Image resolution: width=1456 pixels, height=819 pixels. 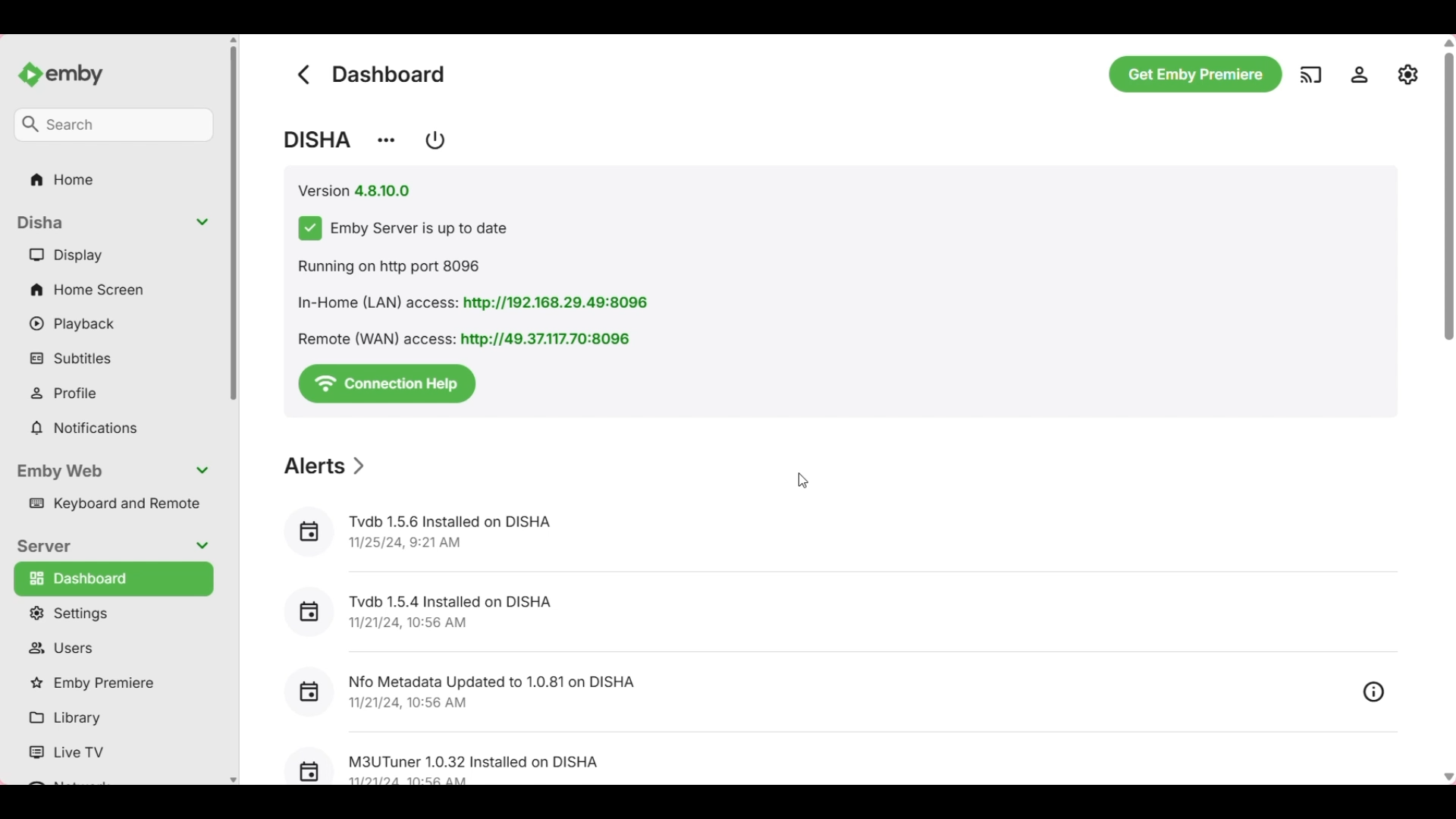 I want to click on Overview of respective listed alert, so click(x=1374, y=691).